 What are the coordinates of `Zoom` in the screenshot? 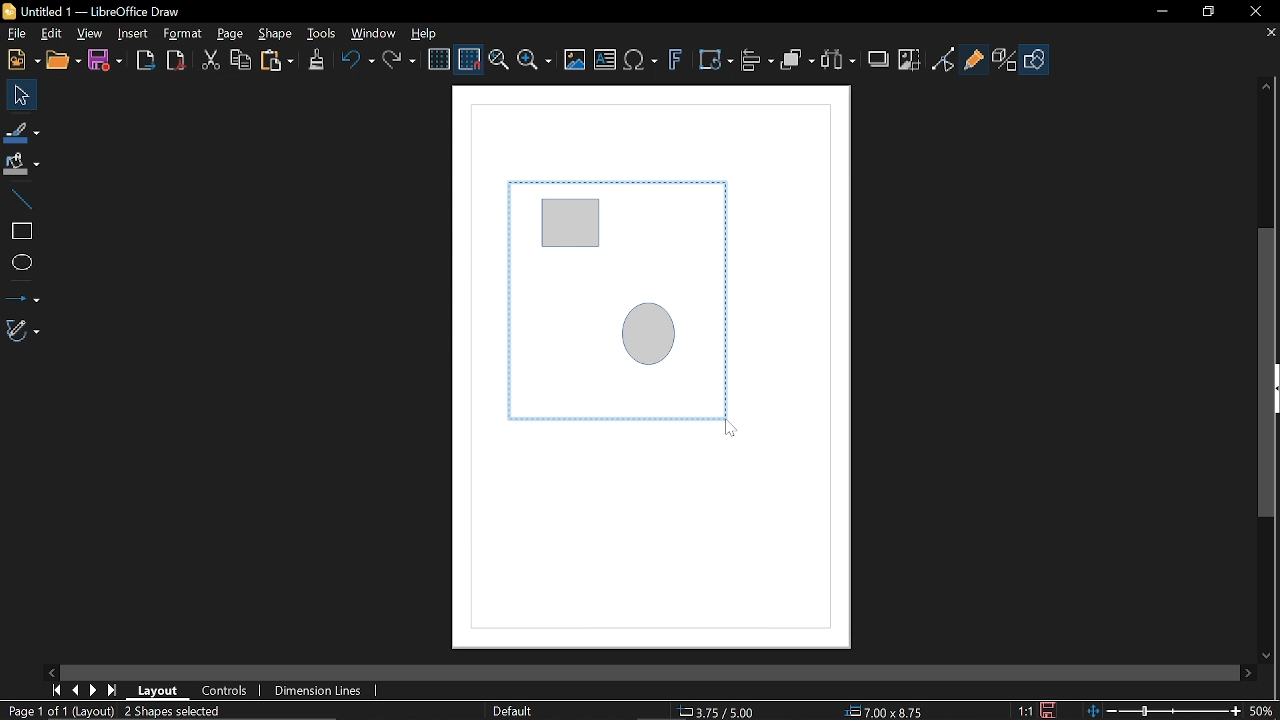 It's located at (537, 62).